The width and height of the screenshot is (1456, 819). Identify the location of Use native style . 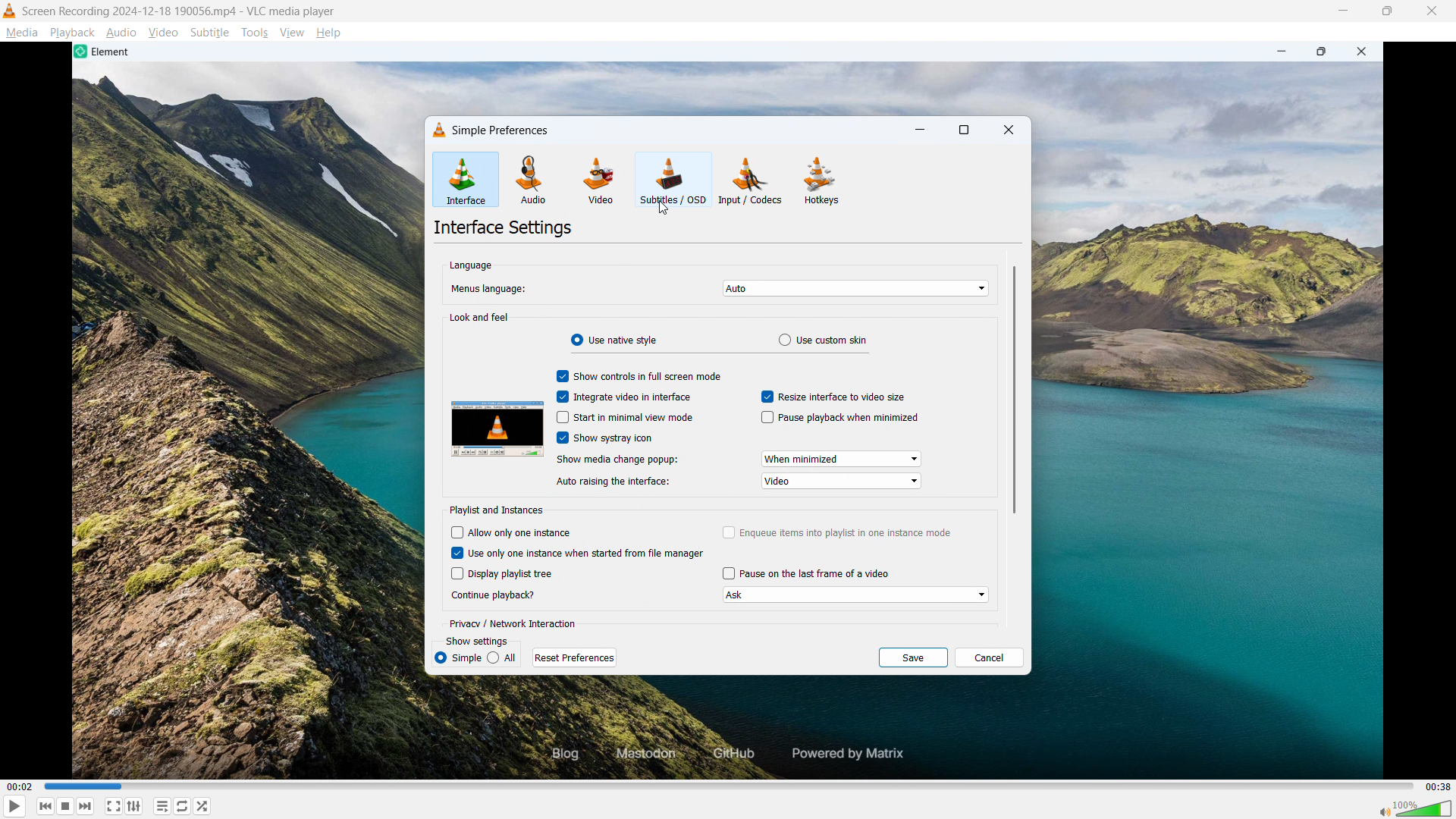
(613, 340).